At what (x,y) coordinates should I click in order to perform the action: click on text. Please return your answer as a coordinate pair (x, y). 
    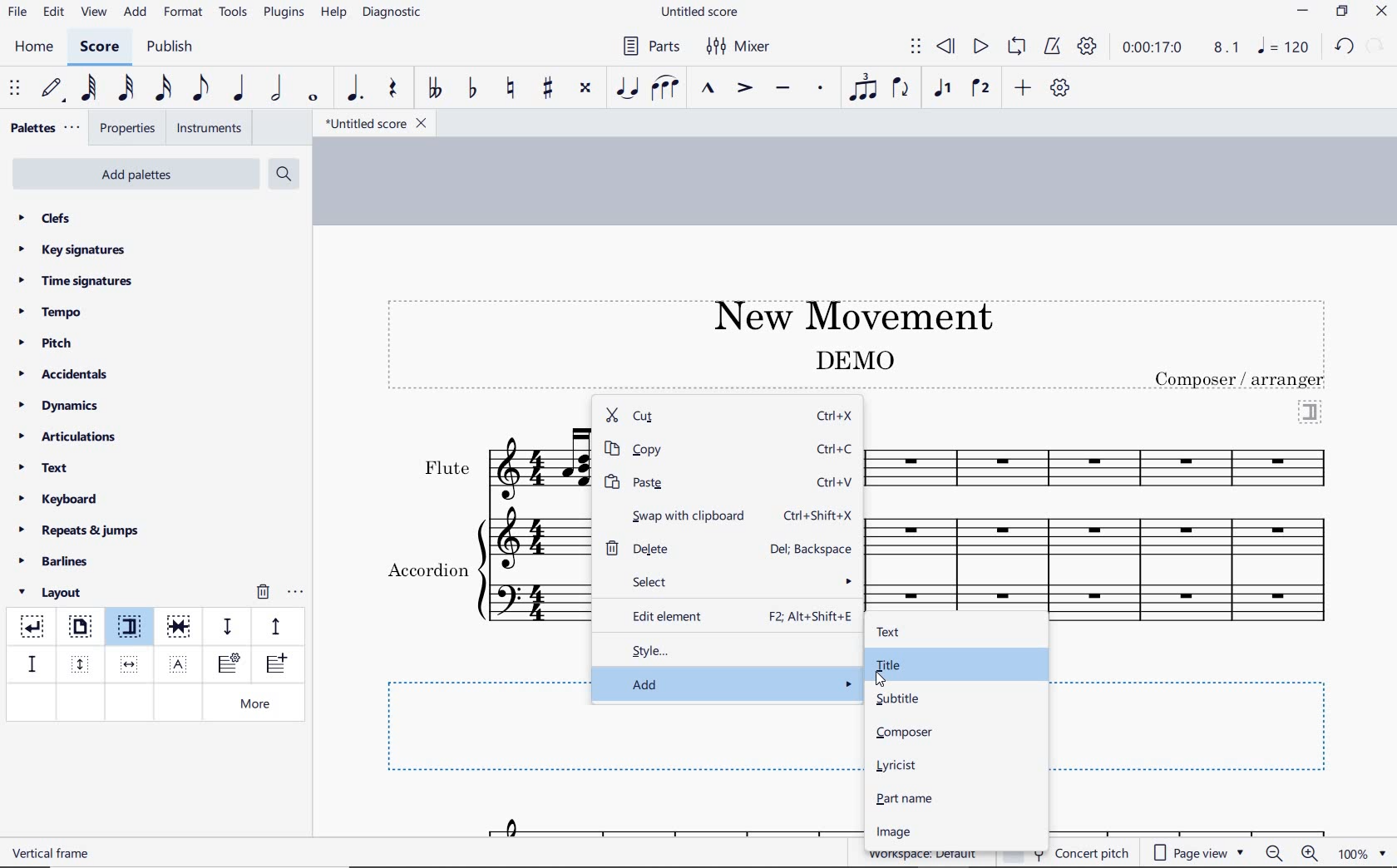
    Looking at the image, I should click on (446, 468).